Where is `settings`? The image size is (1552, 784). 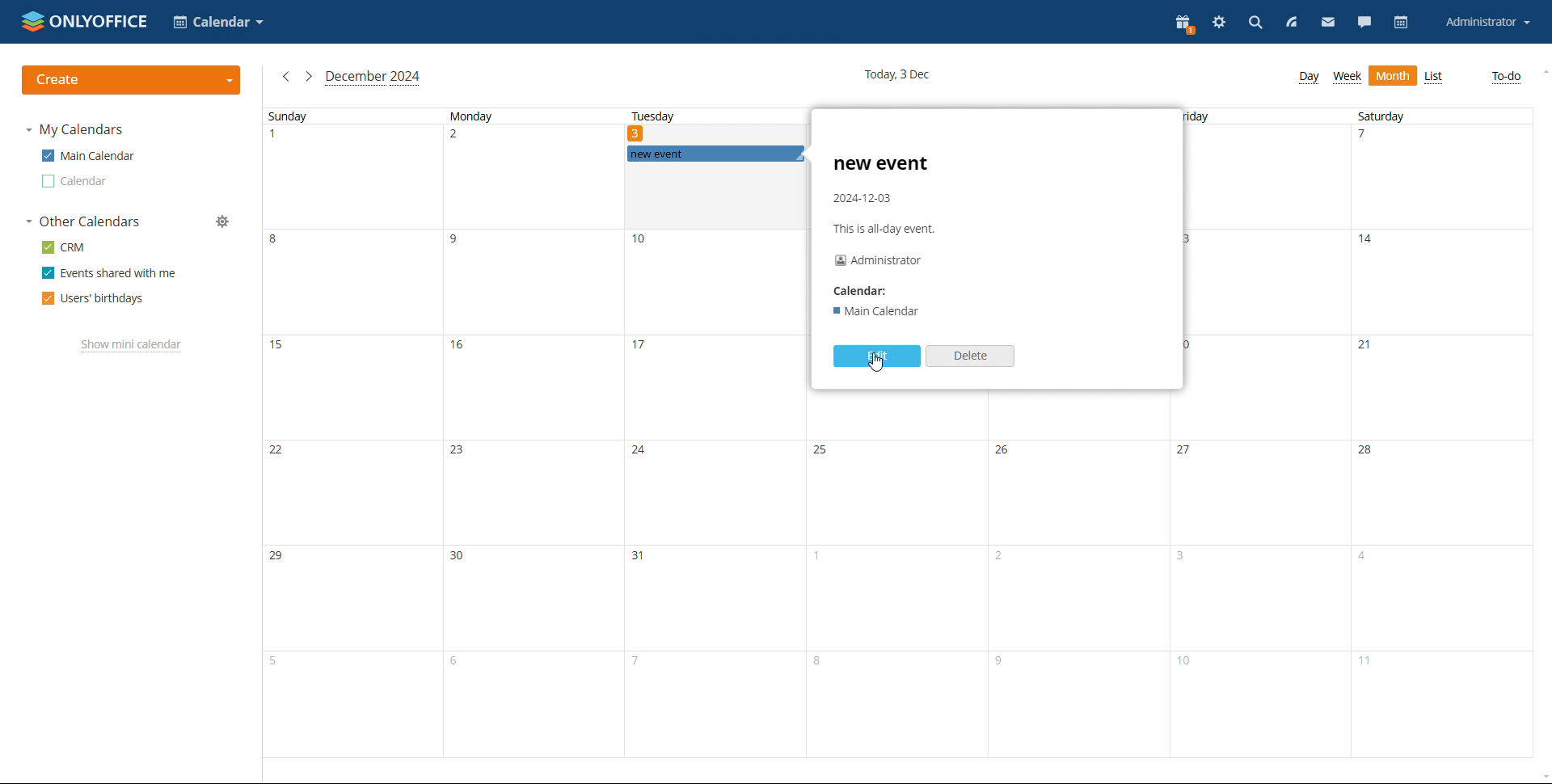 settings is located at coordinates (1219, 23).